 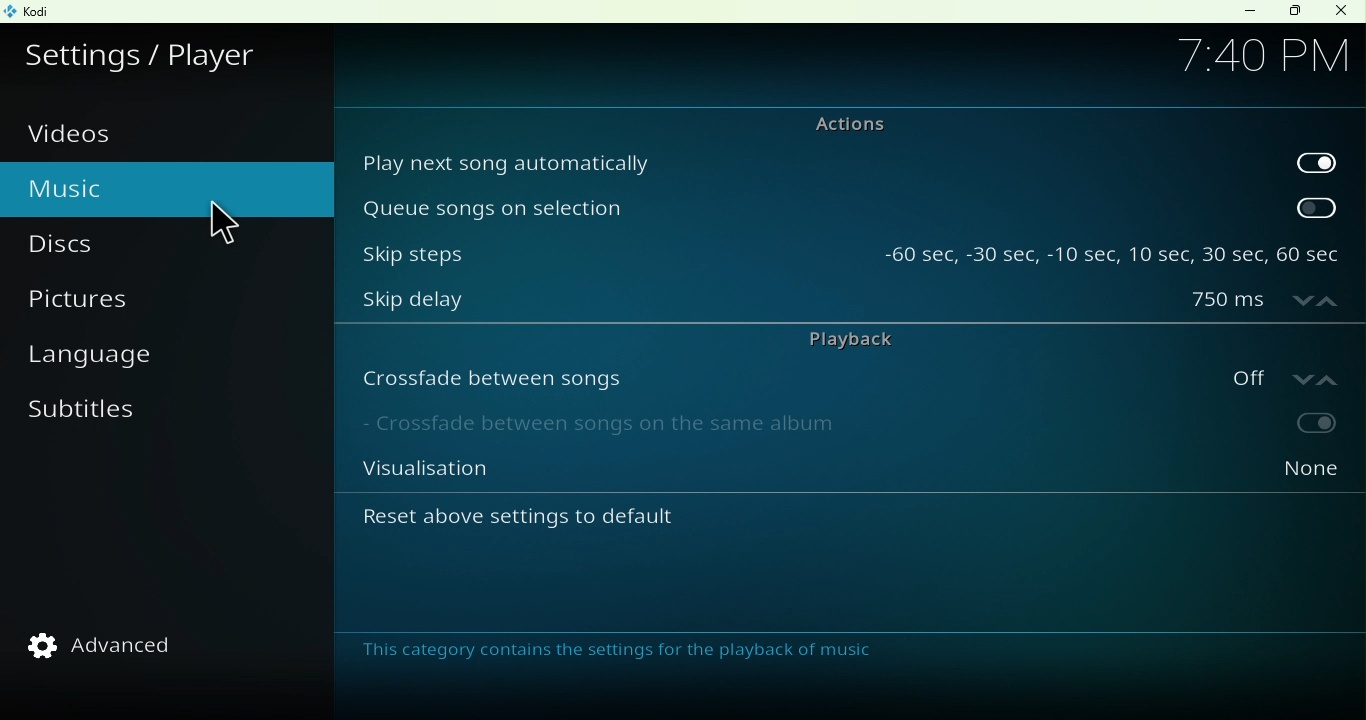 What do you see at coordinates (83, 134) in the screenshot?
I see `Videos` at bounding box center [83, 134].